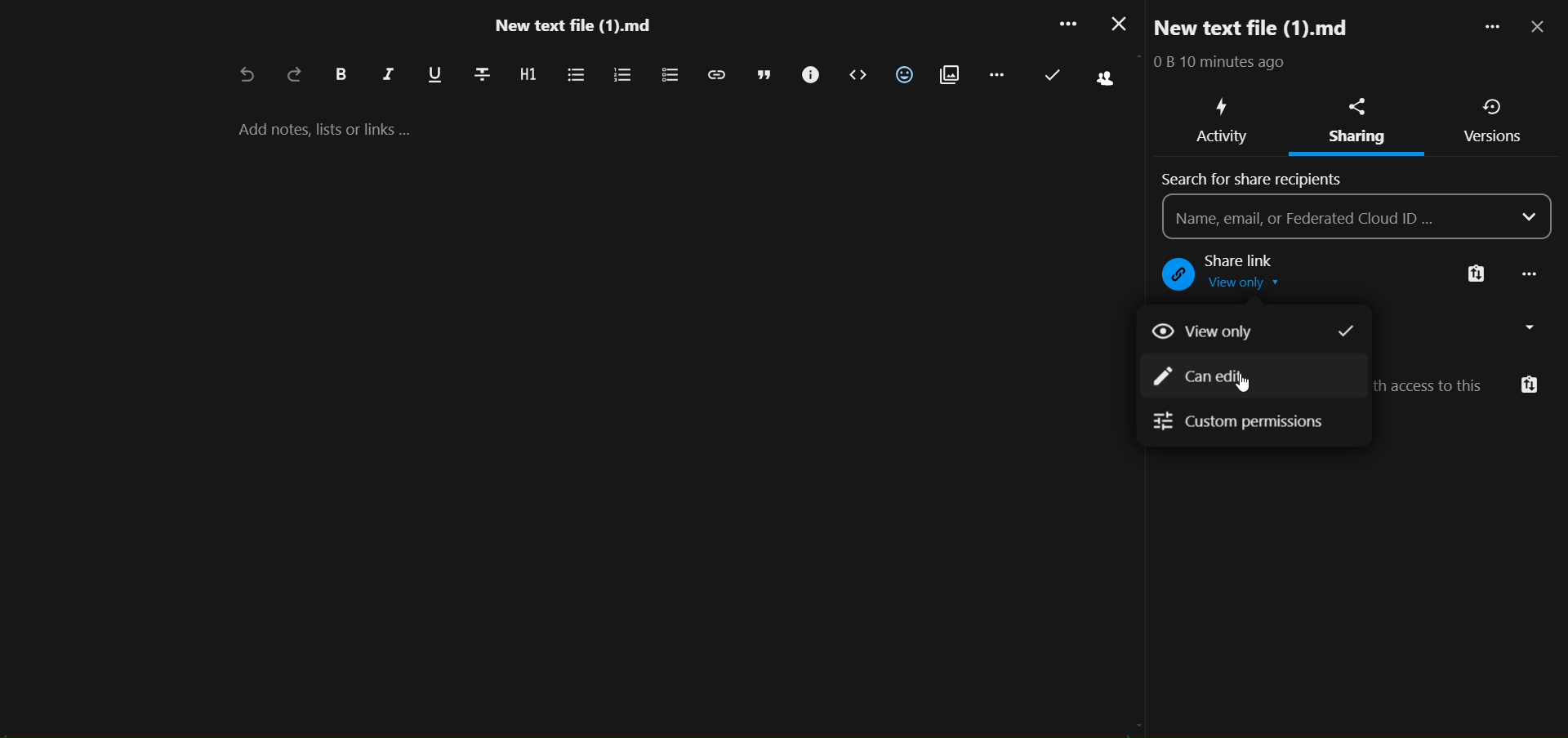 Image resolution: width=1568 pixels, height=738 pixels. What do you see at coordinates (1254, 287) in the screenshot?
I see `view only` at bounding box center [1254, 287].